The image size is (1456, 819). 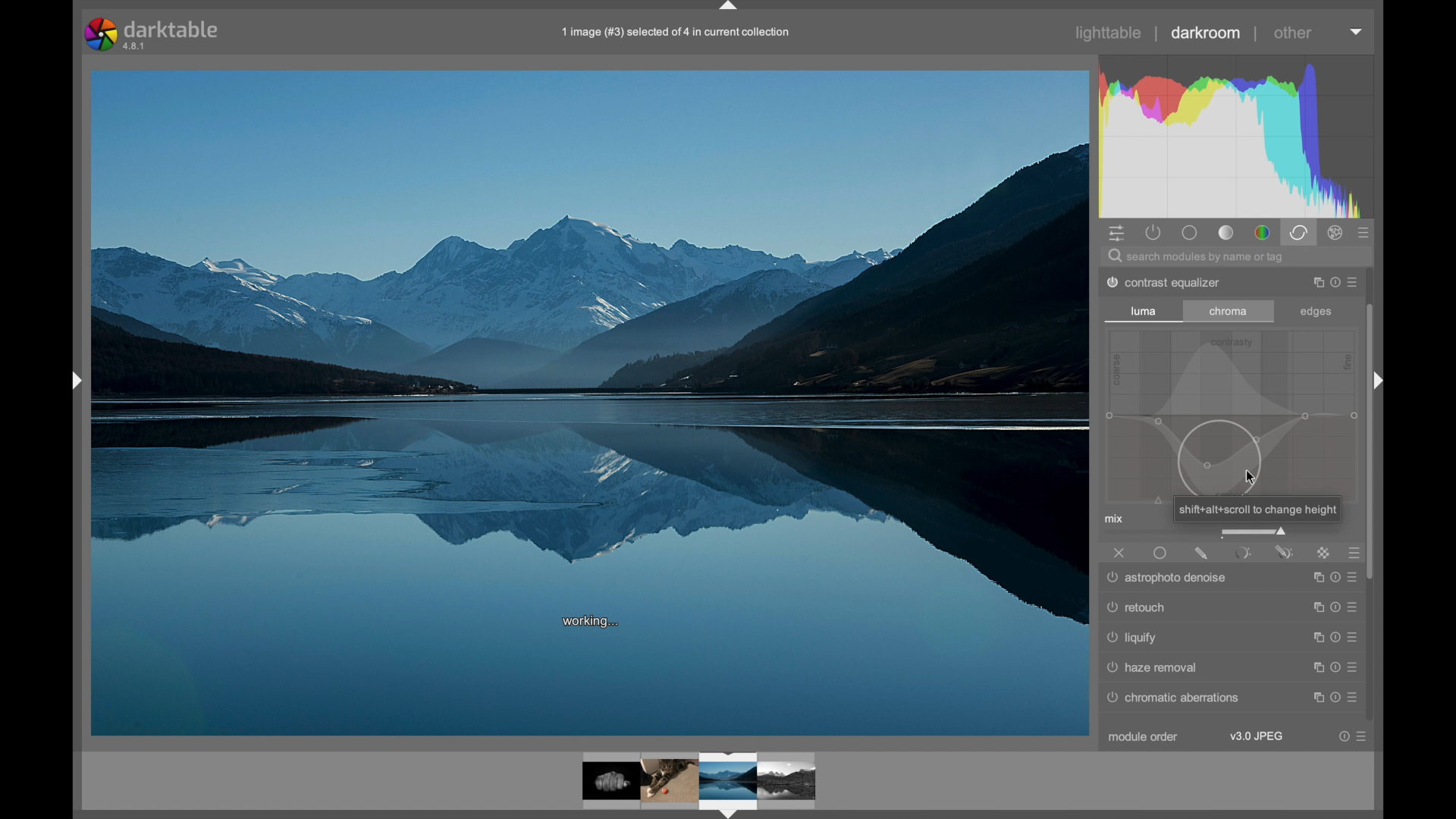 I want to click on show active  modules only, so click(x=1154, y=233).